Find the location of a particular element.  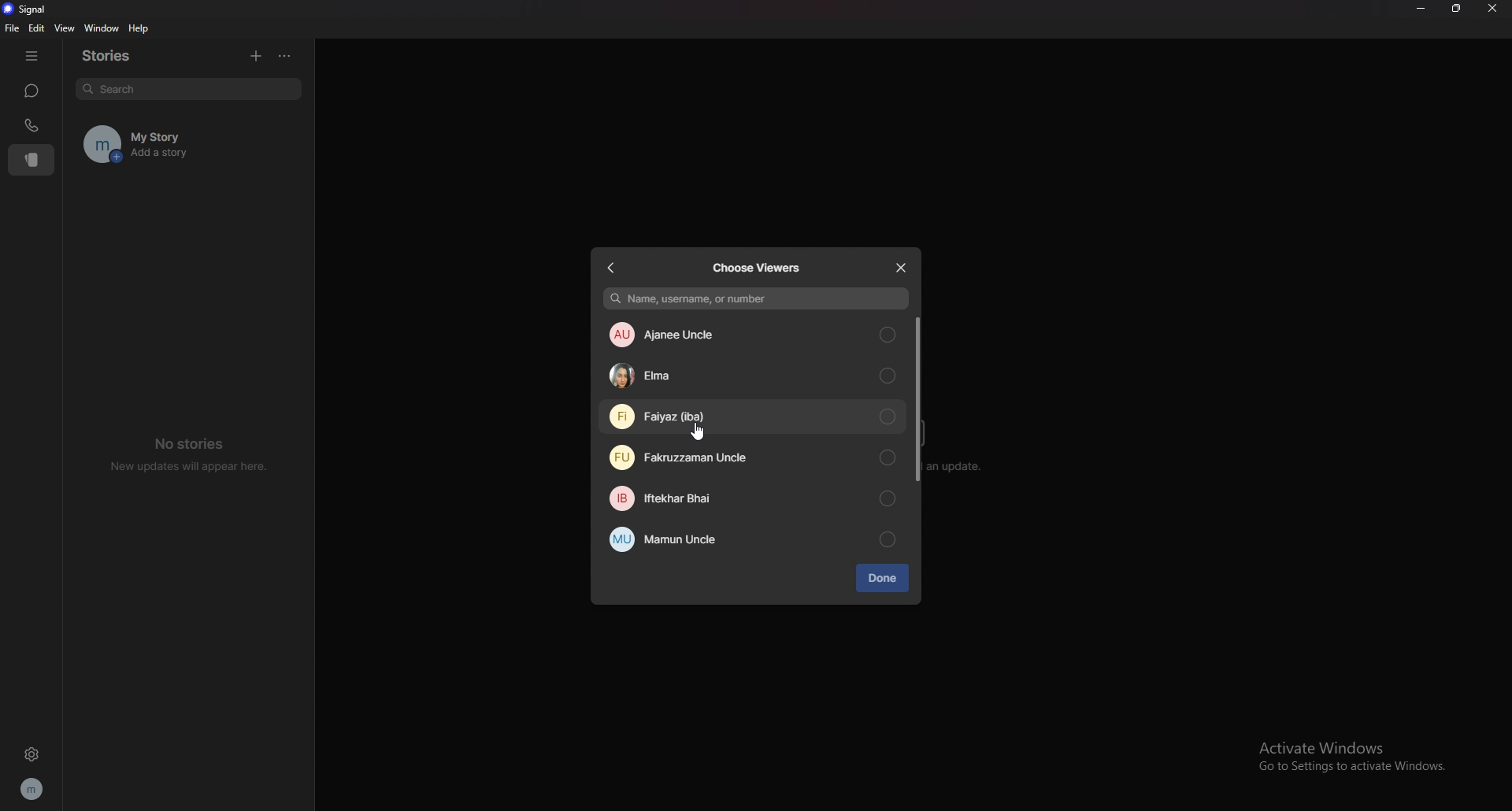

choose viewers is located at coordinates (760, 268).